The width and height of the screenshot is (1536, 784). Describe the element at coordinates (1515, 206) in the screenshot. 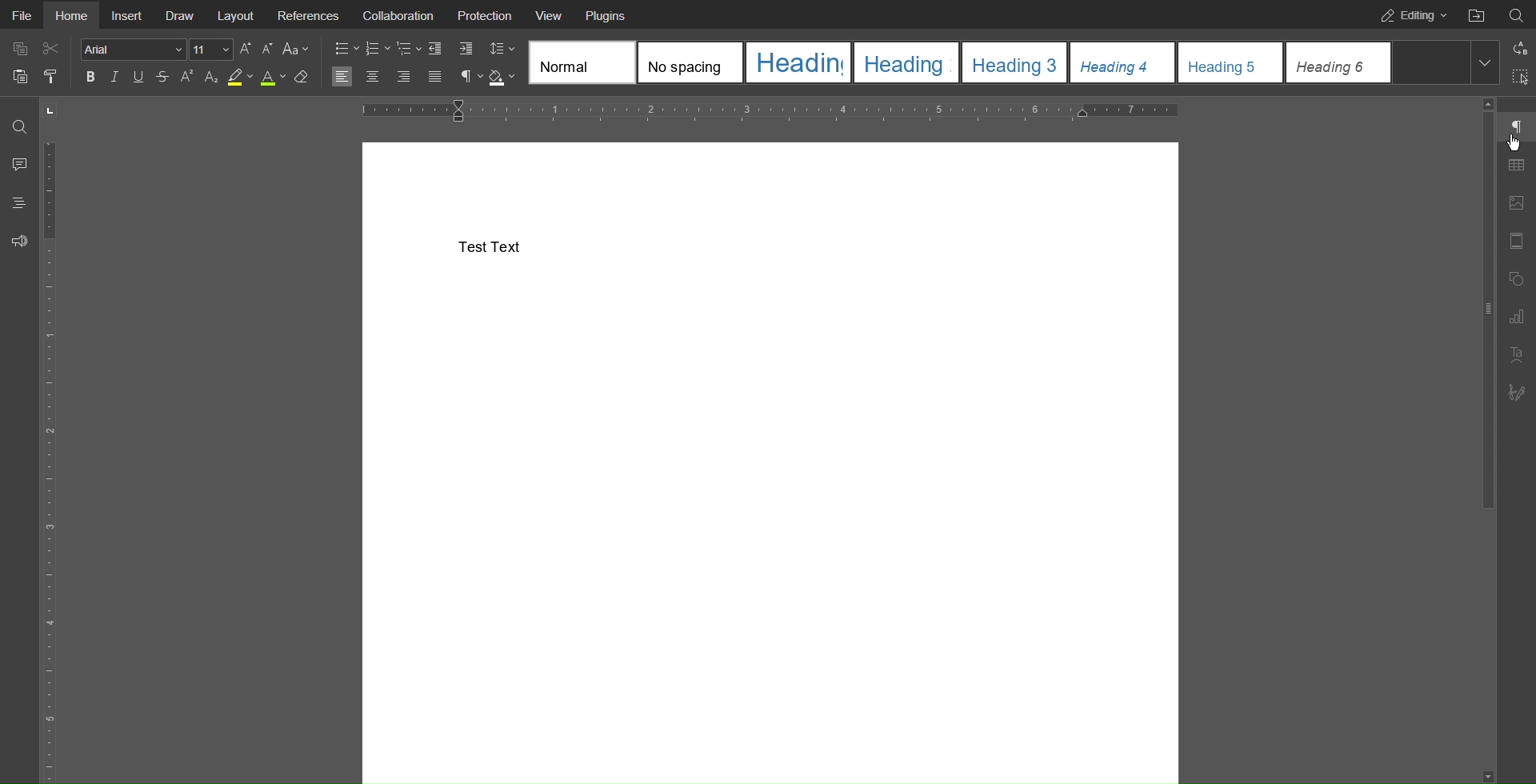

I see `Image Settings` at that location.